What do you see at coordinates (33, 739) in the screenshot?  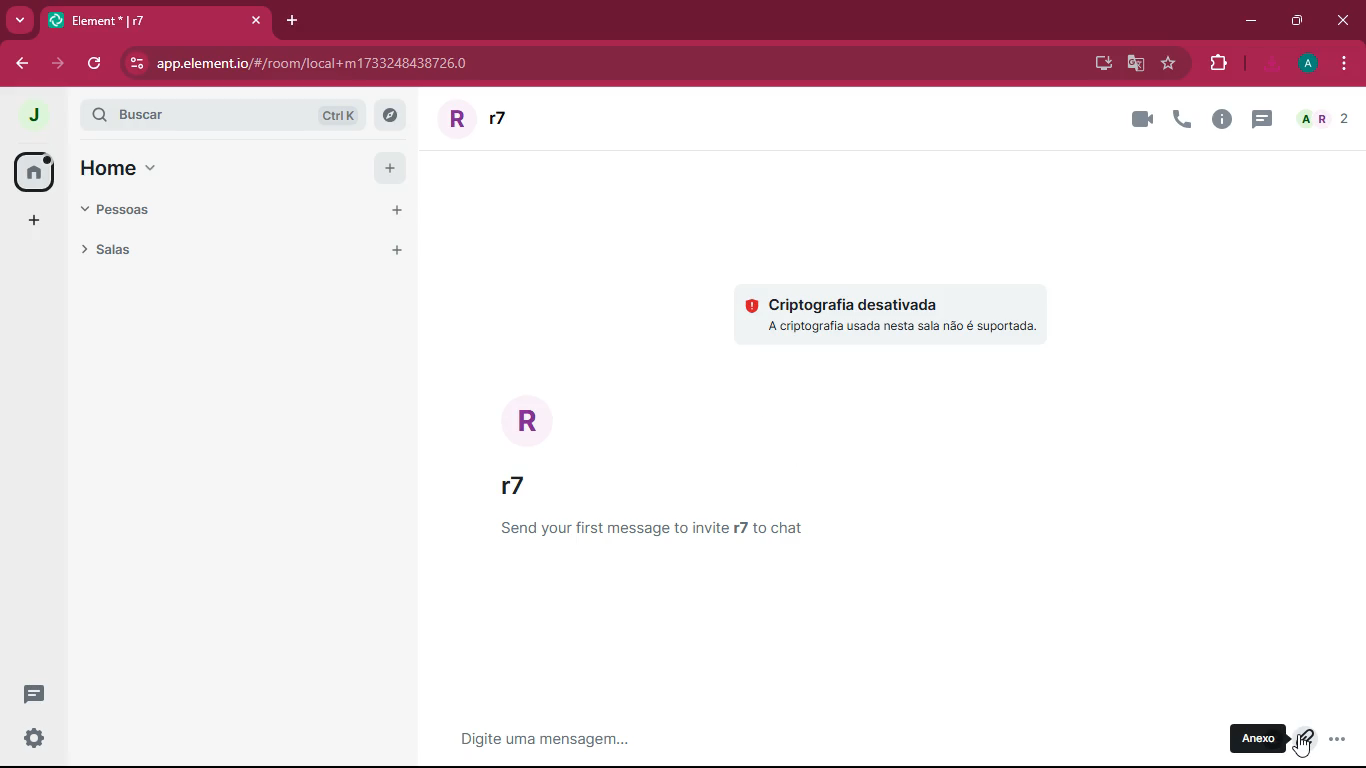 I see `settings` at bounding box center [33, 739].